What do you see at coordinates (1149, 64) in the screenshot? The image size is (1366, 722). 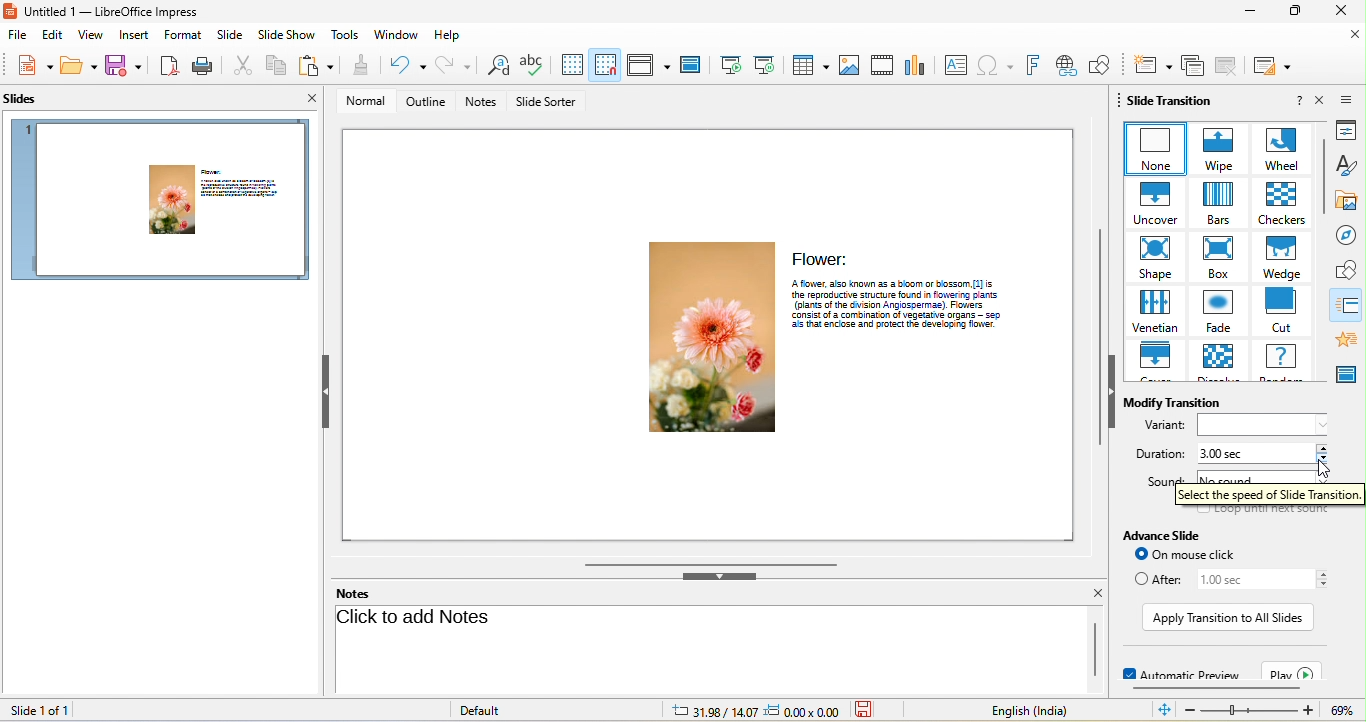 I see `new slide` at bounding box center [1149, 64].